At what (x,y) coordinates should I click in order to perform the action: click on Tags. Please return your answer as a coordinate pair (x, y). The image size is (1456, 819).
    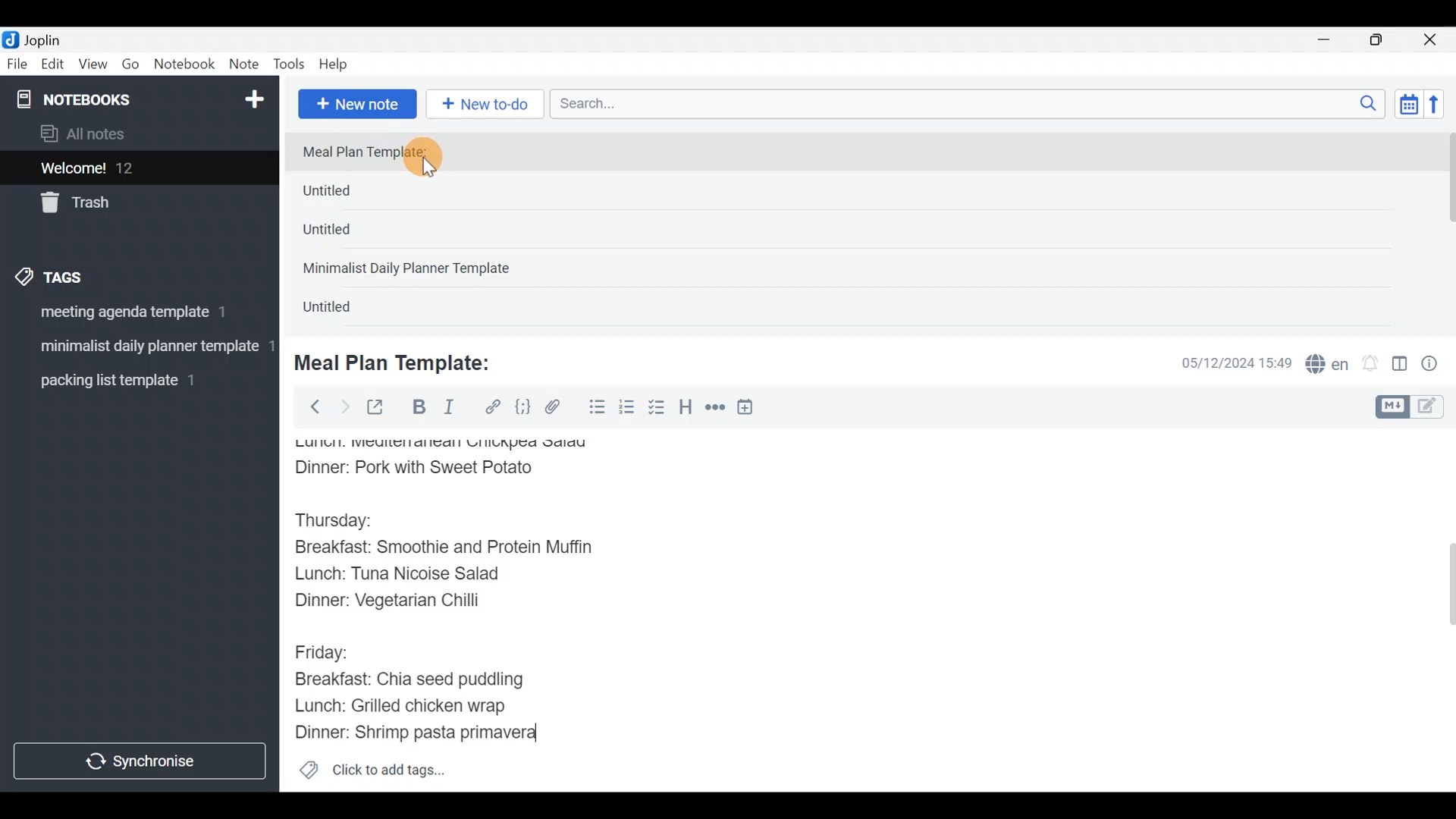
    Looking at the image, I should click on (85, 275).